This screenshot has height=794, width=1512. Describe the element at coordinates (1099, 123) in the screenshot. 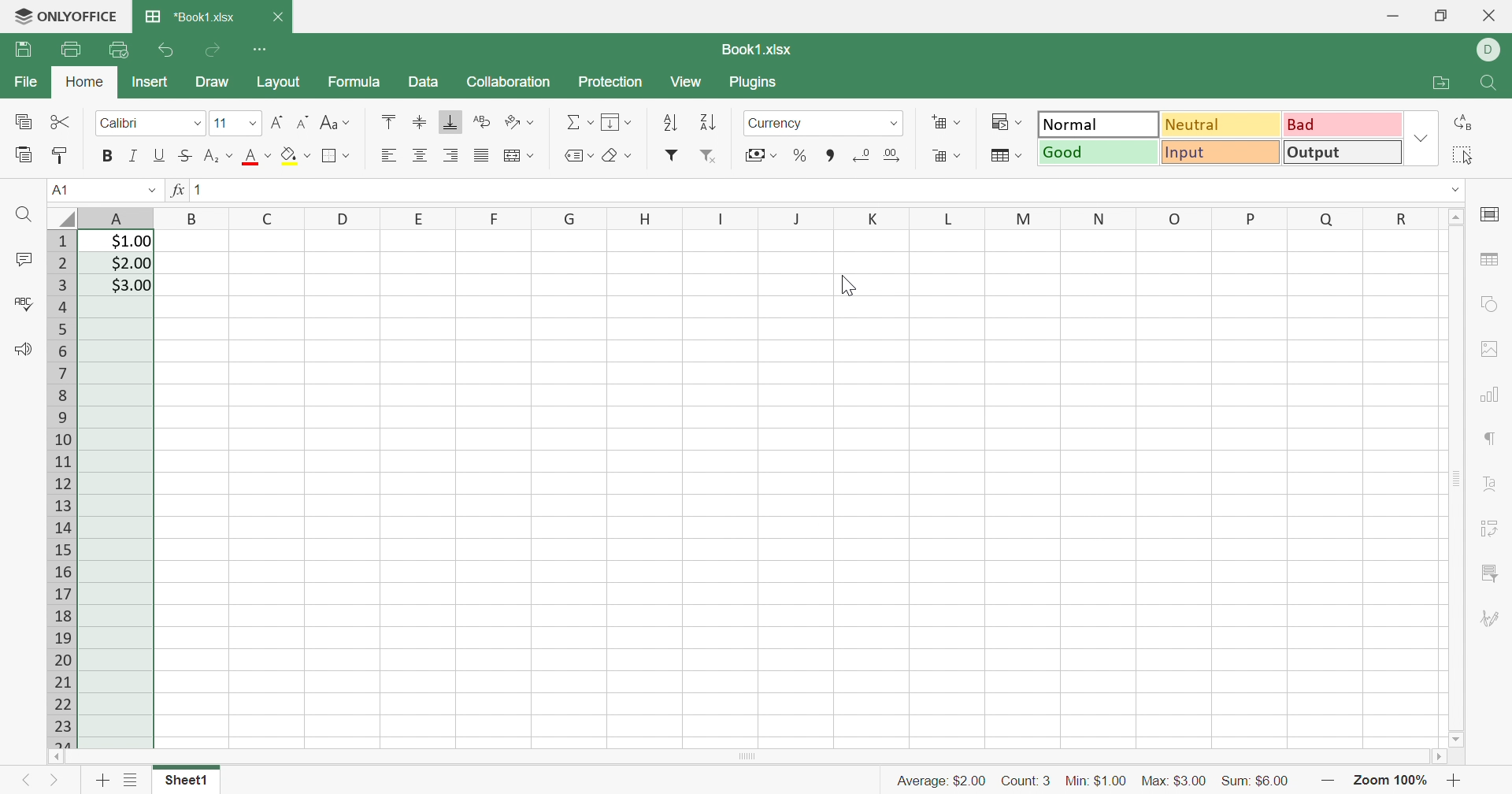

I see `Normal` at that location.